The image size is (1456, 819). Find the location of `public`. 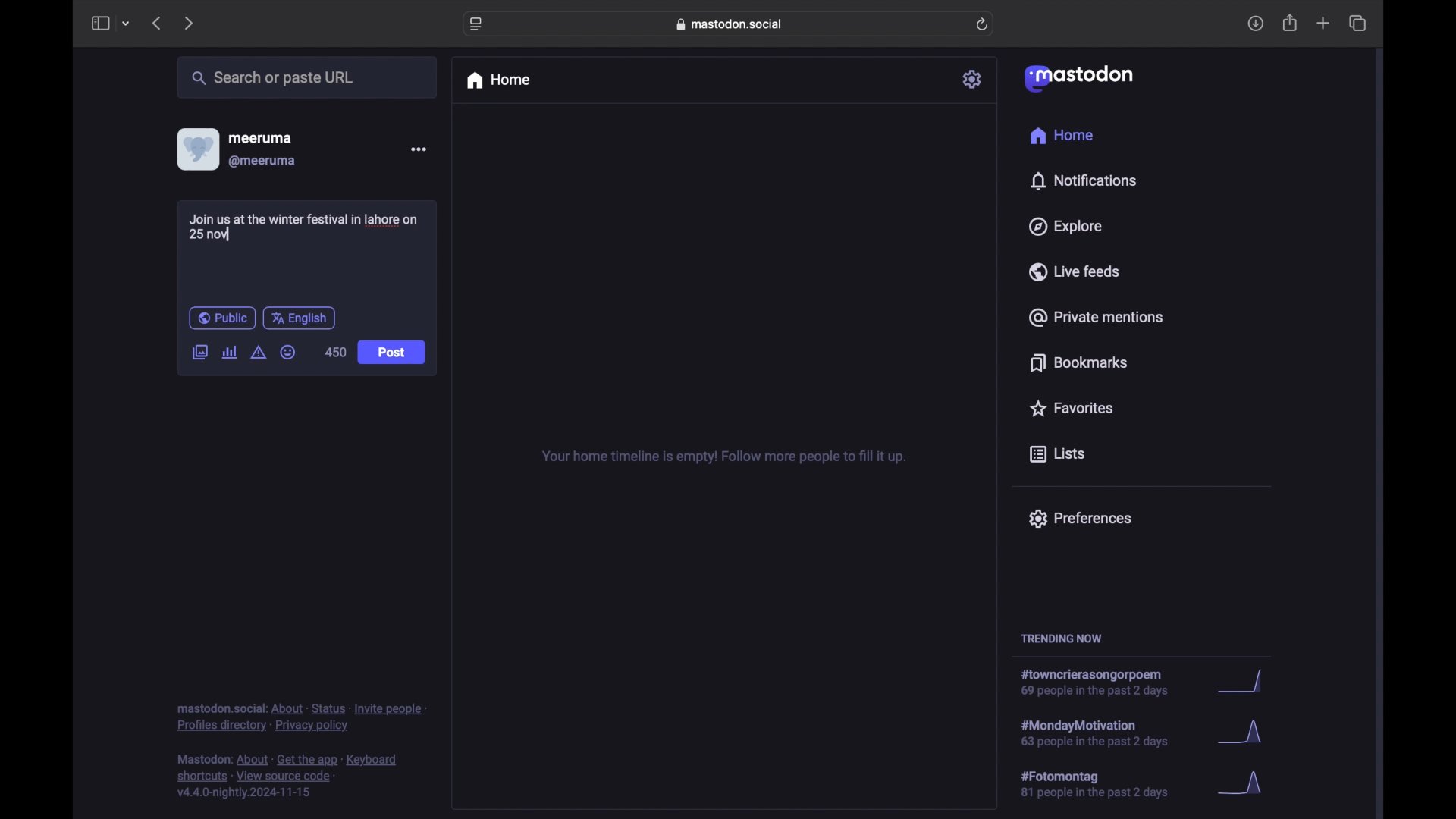

public is located at coordinates (221, 318).